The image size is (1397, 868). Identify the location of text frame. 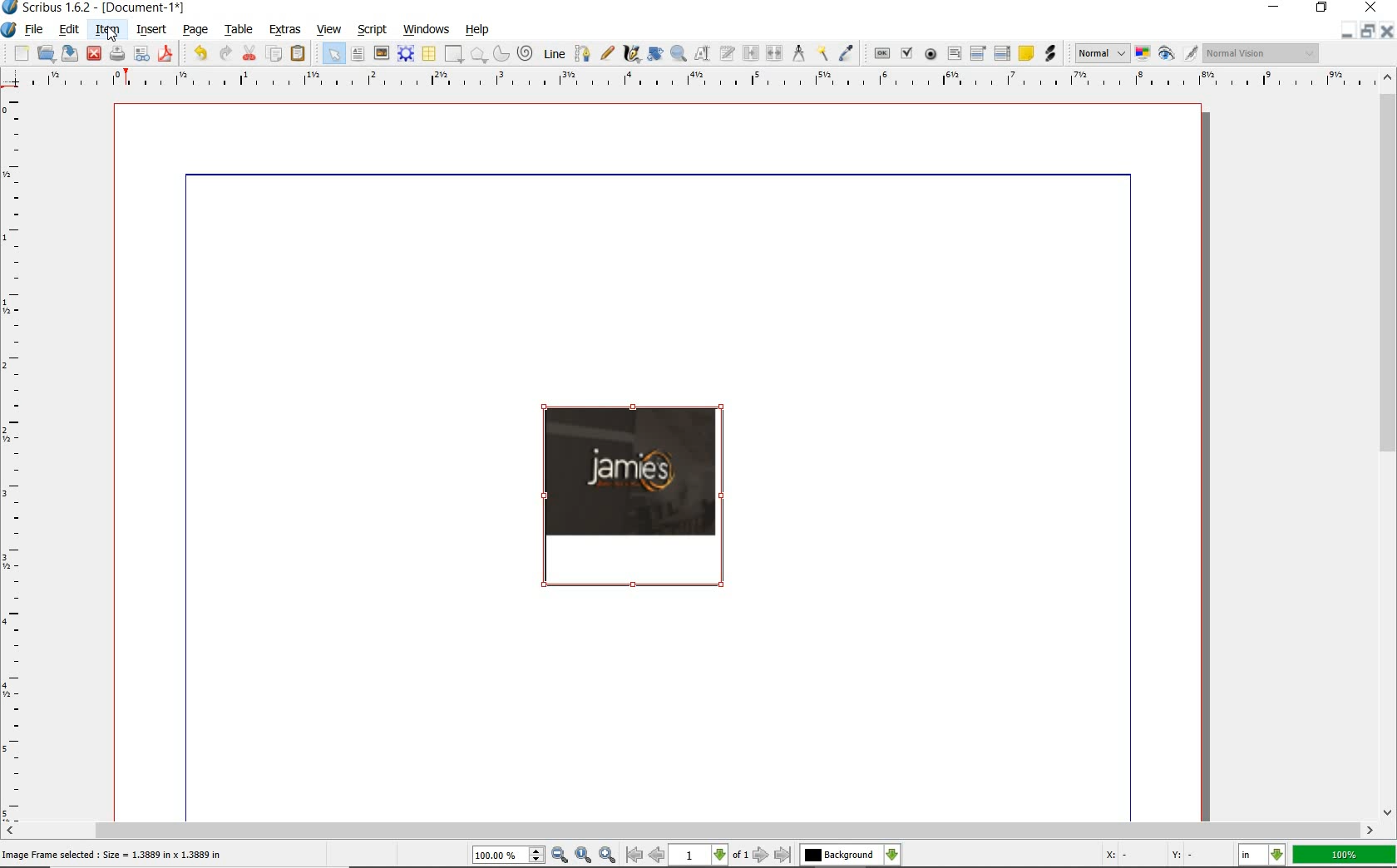
(356, 55).